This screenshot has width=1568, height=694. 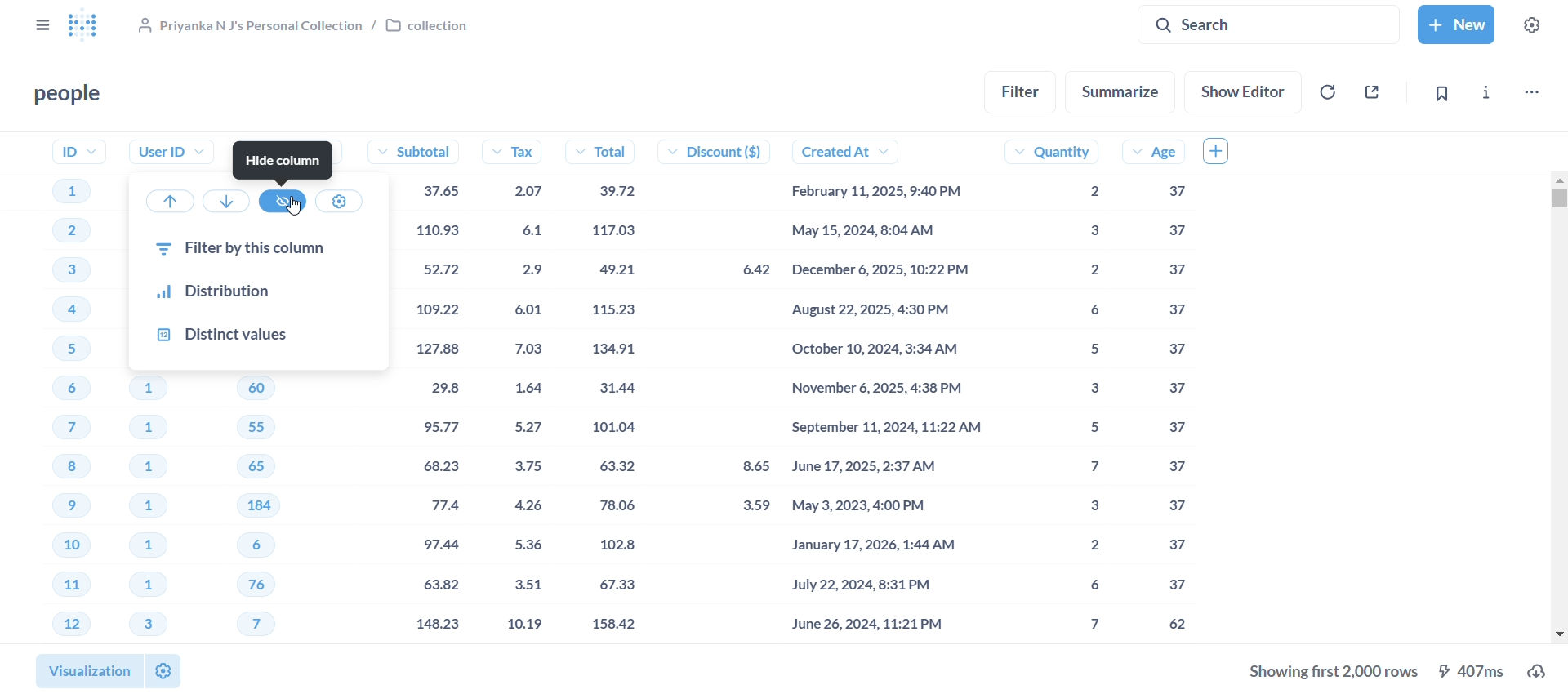 What do you see at coordinates (169, 152) in the screenshot?
I see `user ID` at bounding box center [169, 152].